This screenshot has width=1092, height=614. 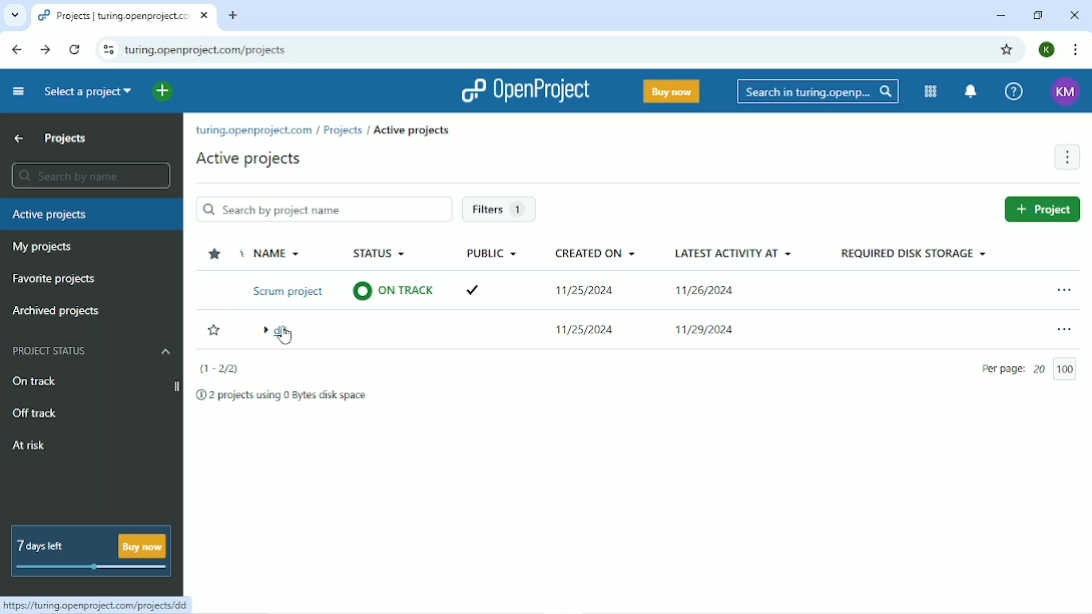 What do you see at coordinates (915, 254) in the screenshot?
I see `Required disk storage` at bounding box center [915, 254].